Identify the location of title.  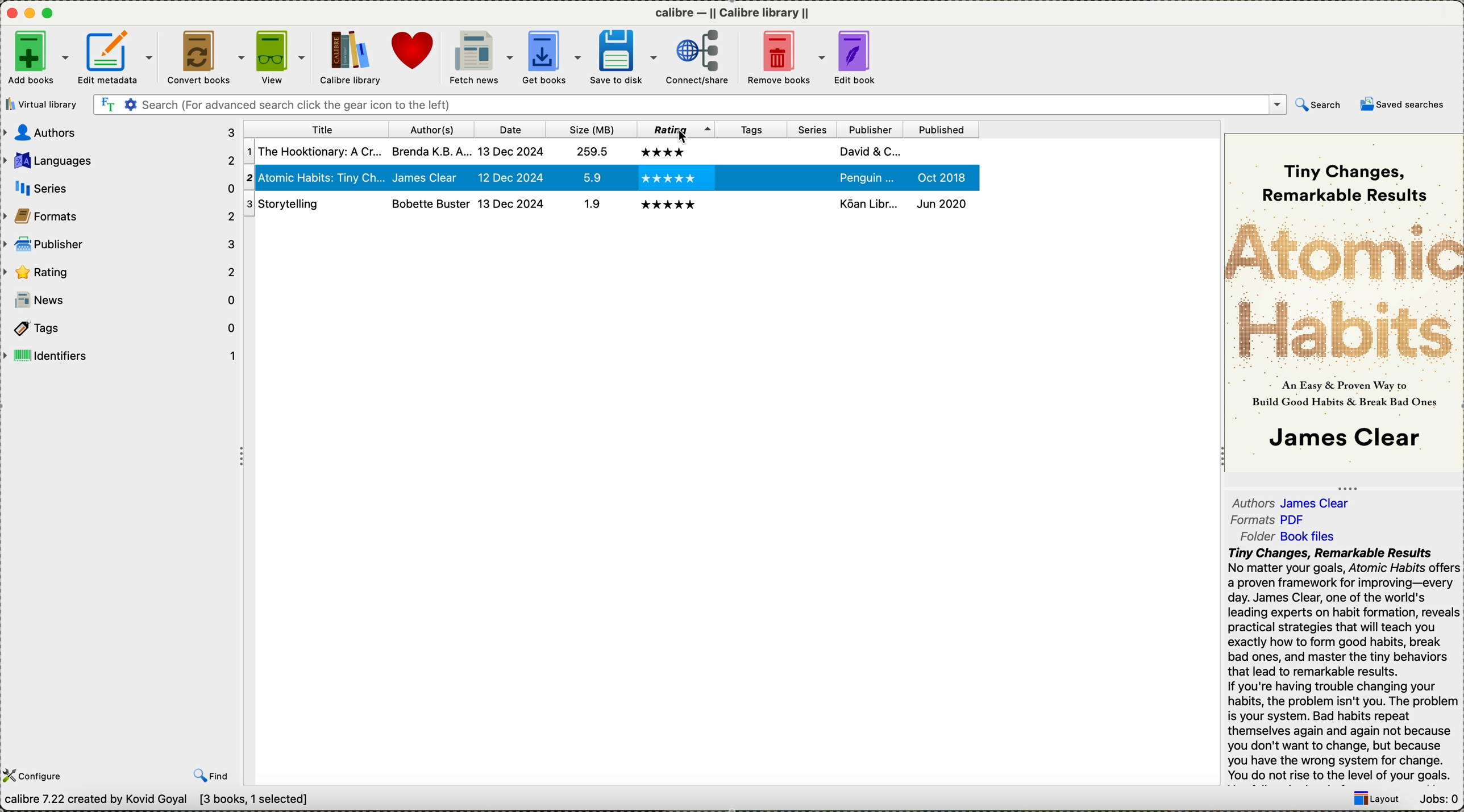
(315, 128).